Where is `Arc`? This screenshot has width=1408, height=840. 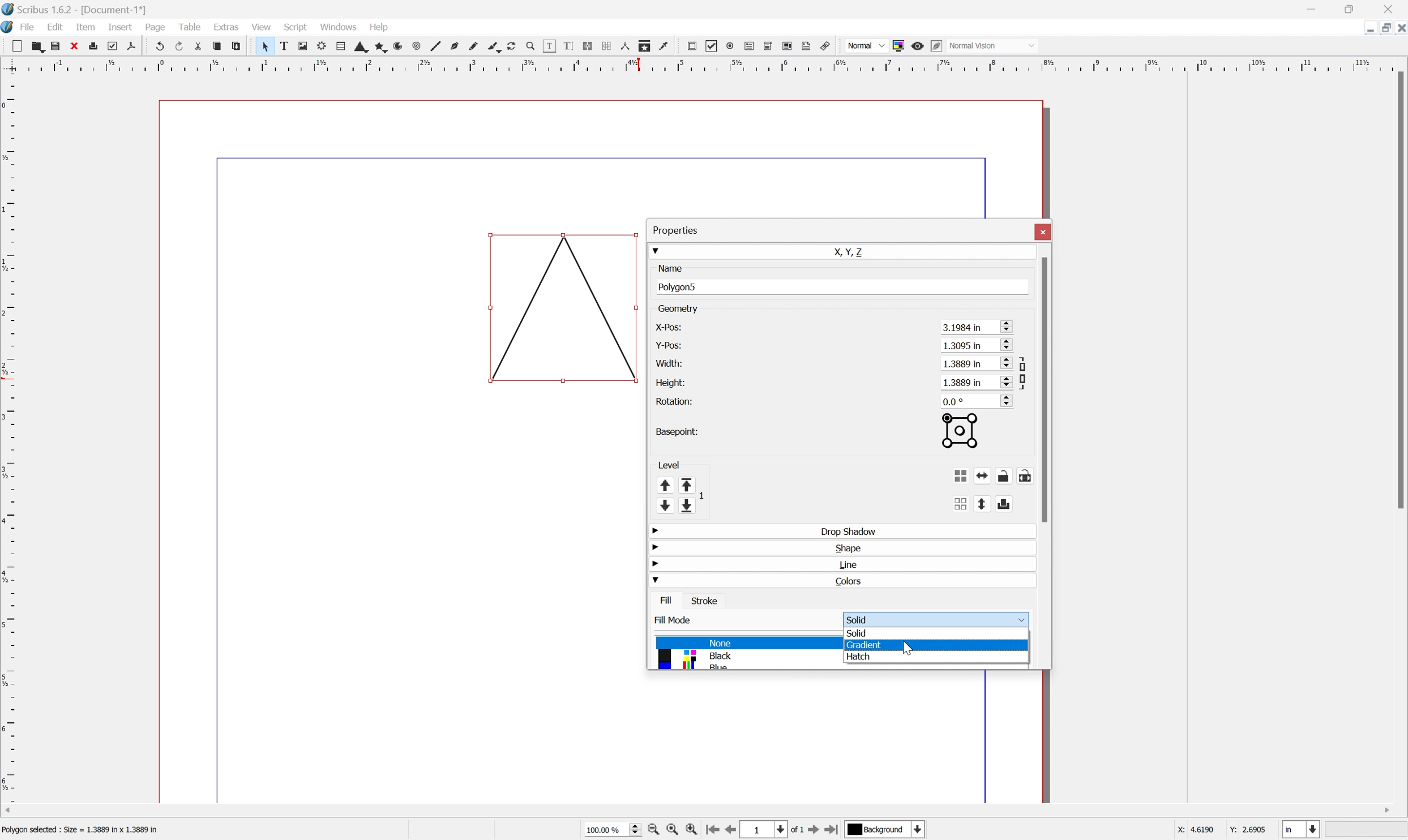 Arc is located at coordinates (395, 46).